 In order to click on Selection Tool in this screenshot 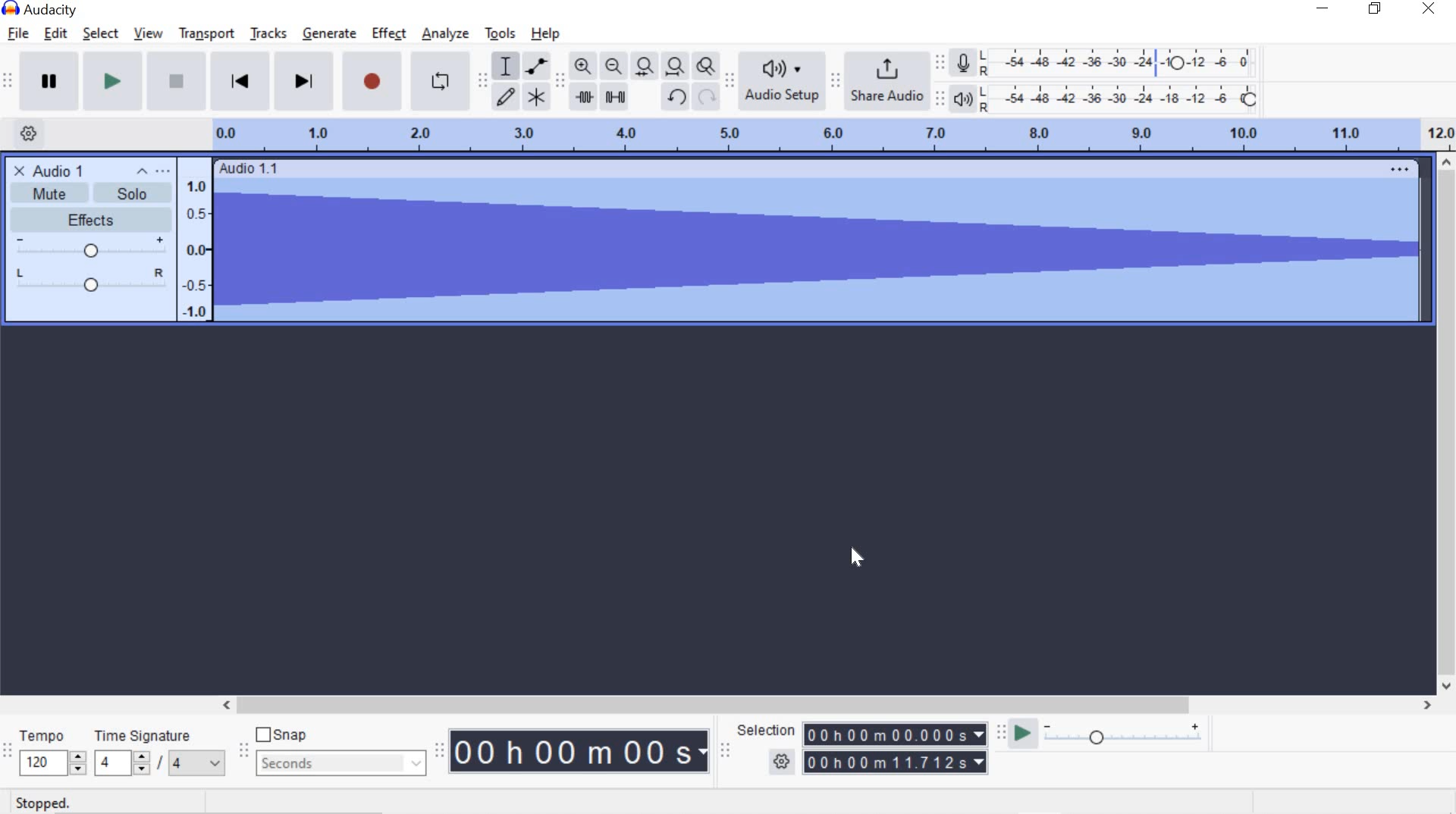, I will do `click(504, 66)`.